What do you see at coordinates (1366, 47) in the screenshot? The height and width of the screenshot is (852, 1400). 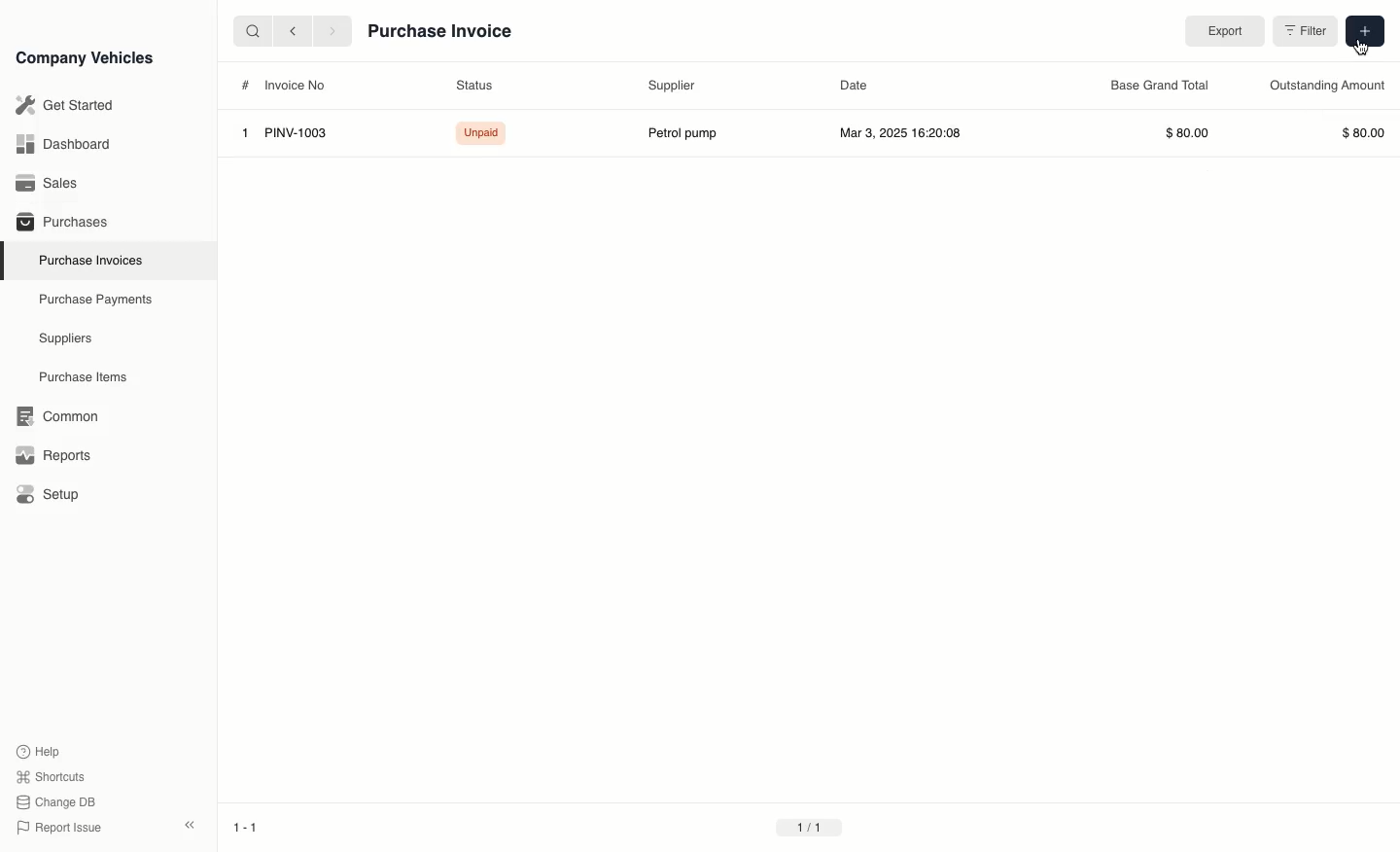 I see `cursor` at bounding box center [1366, 47].